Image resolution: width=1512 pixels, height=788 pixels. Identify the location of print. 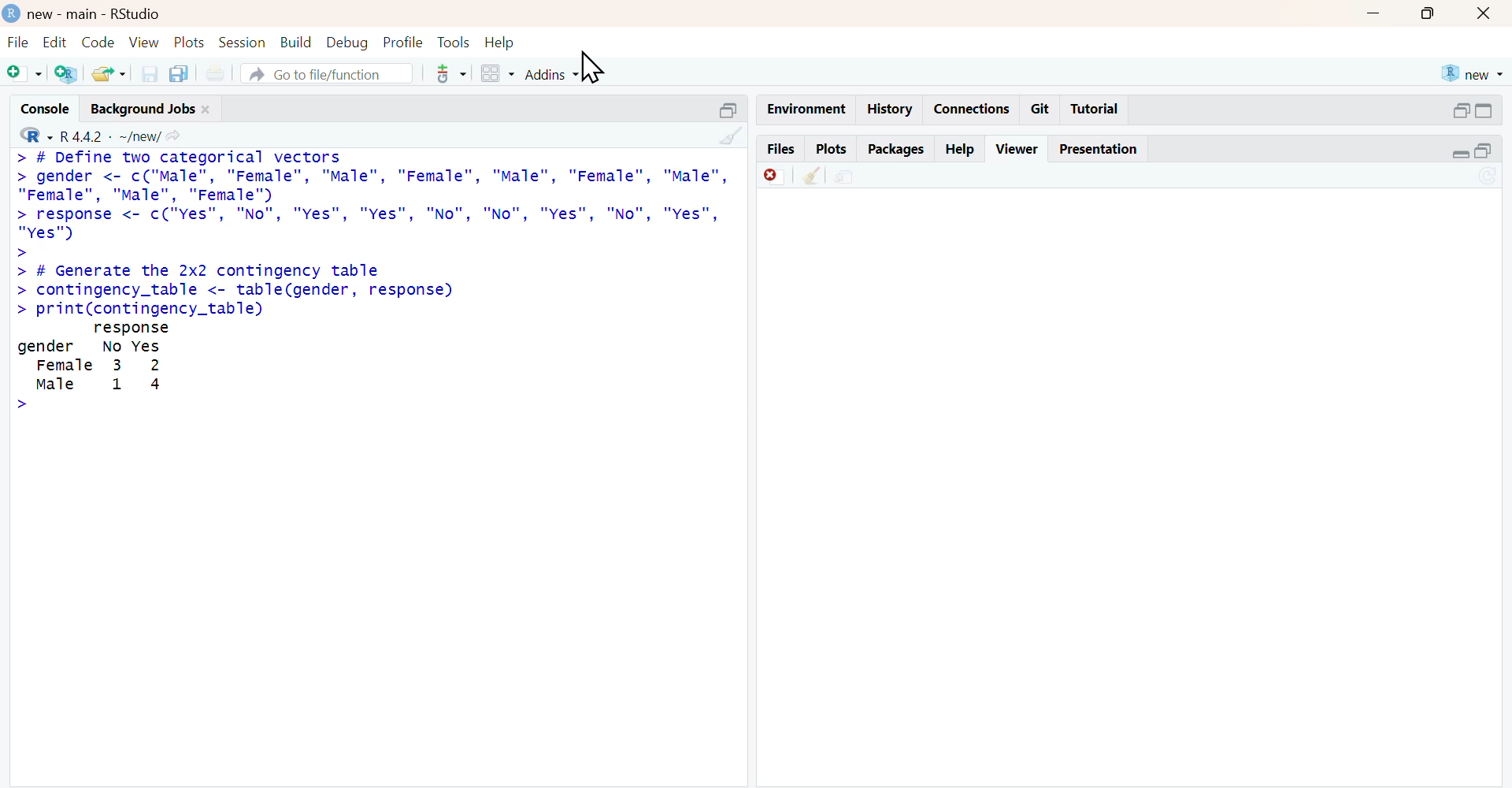
(217, 74).